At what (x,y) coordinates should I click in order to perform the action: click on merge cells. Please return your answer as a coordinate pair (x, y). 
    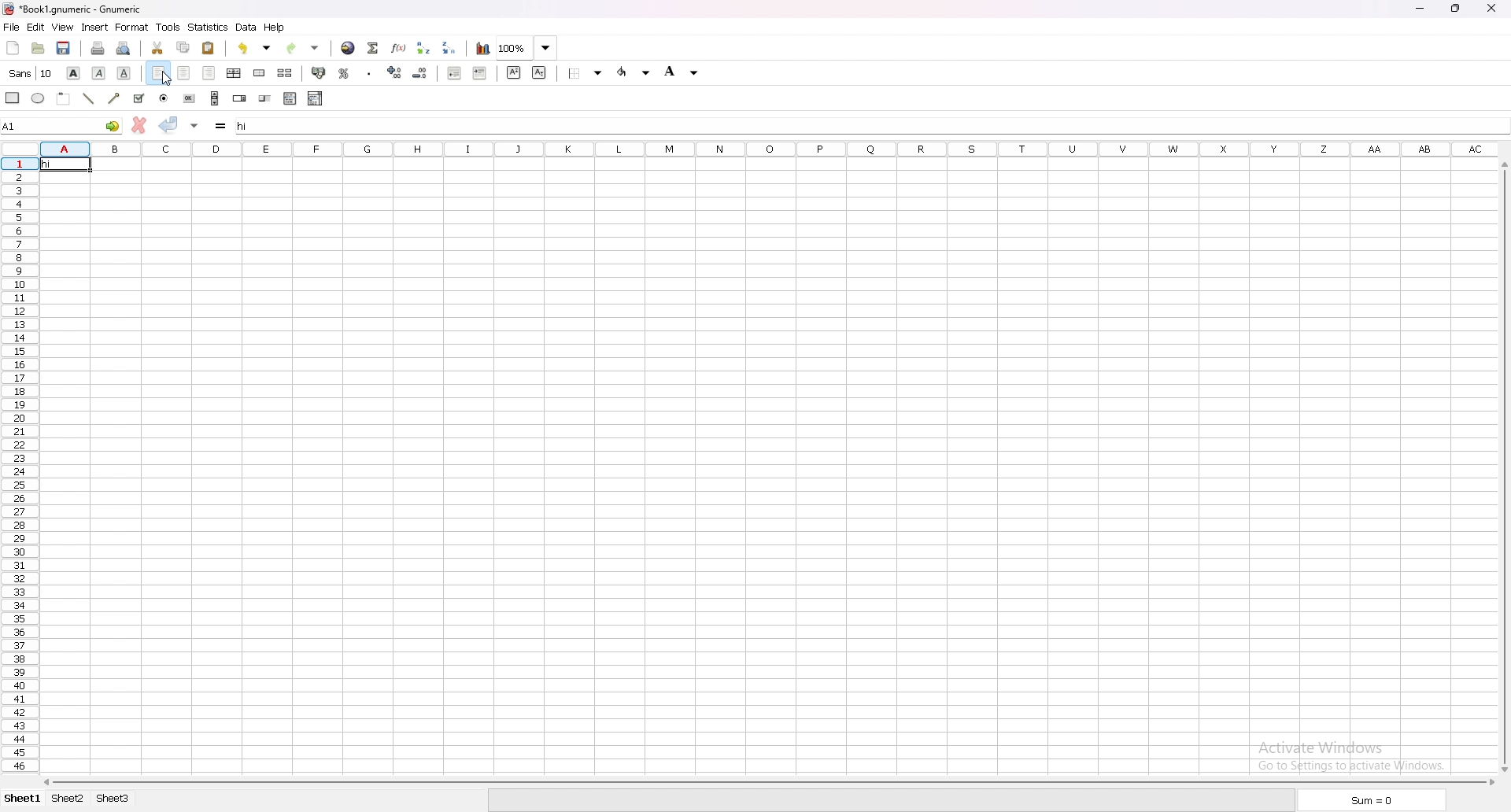
    Looking at the image, I should click on (259, 73).